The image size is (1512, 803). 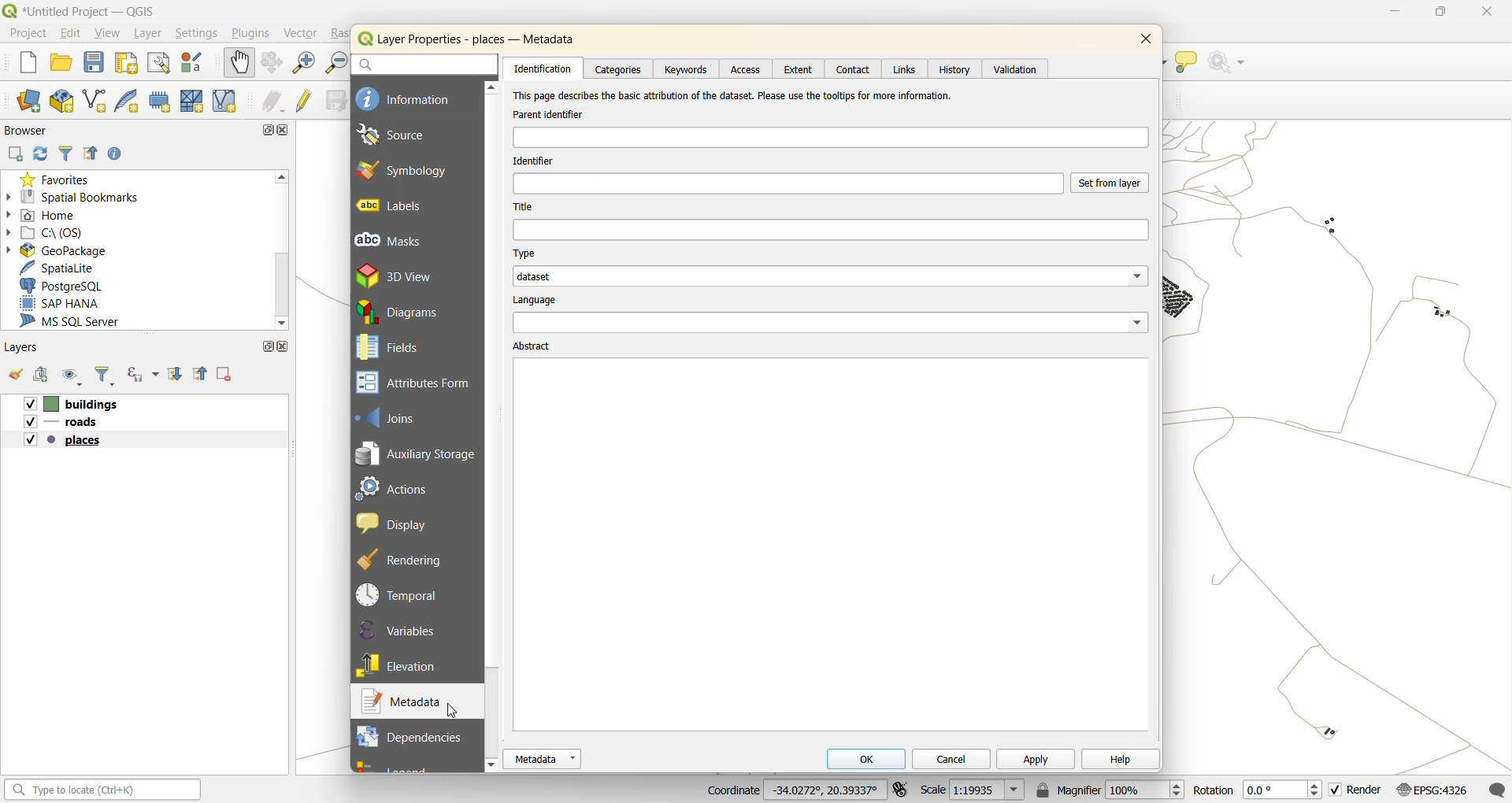 I want to click on dependencies, so click(x=409, y=737).